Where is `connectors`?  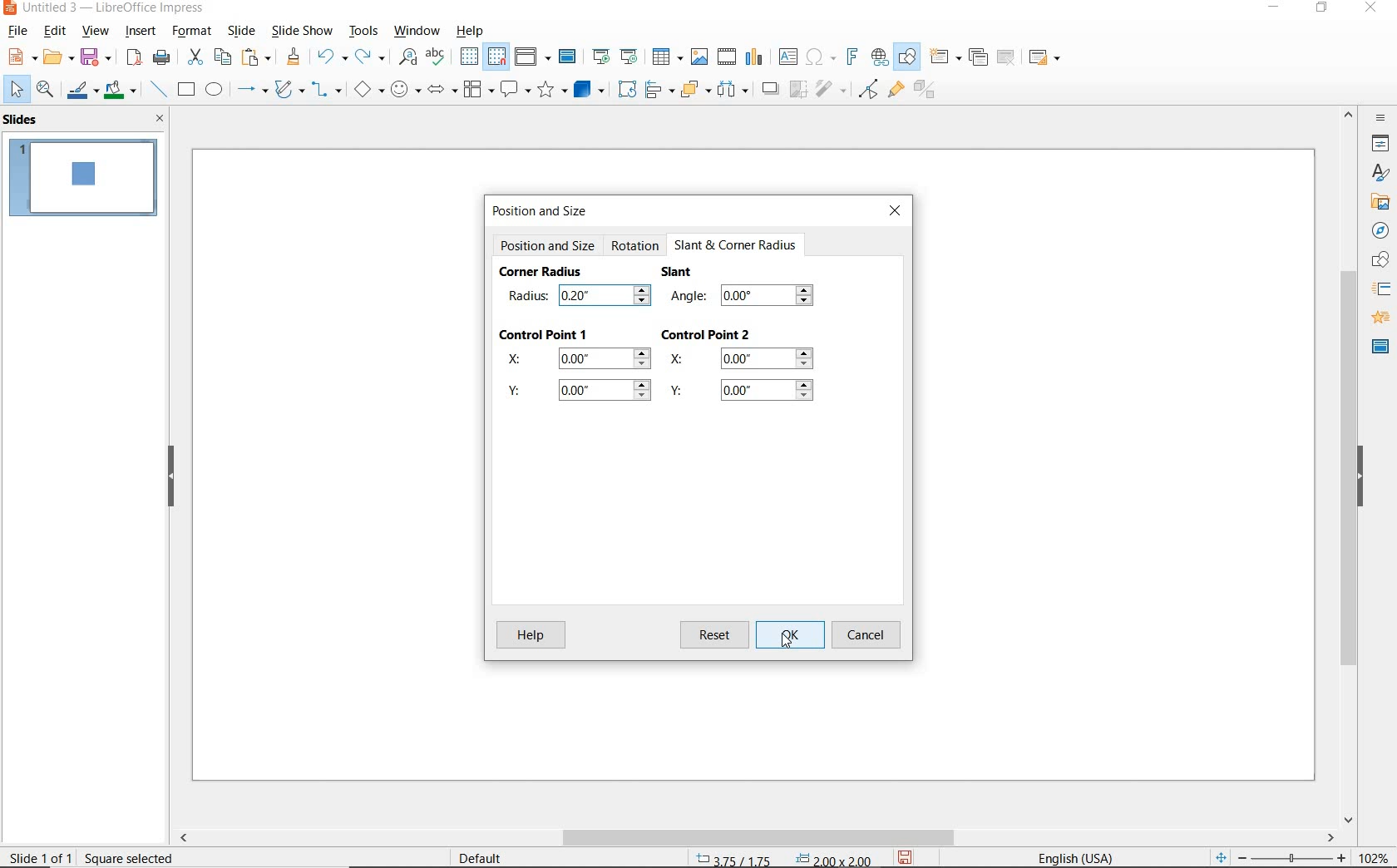
connectors is located at coordinates (326, 91).